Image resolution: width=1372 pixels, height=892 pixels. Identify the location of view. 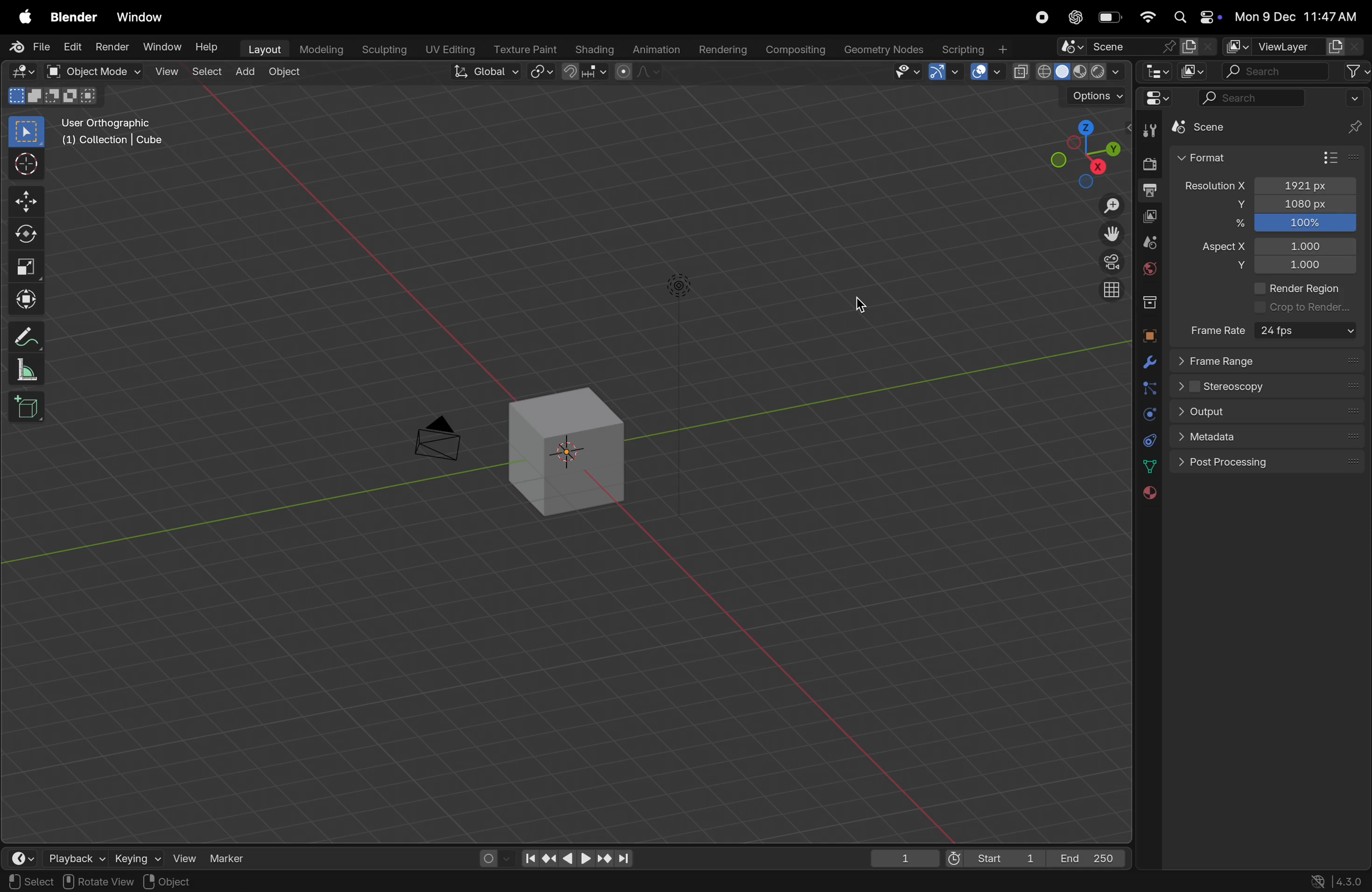
(184, 856).